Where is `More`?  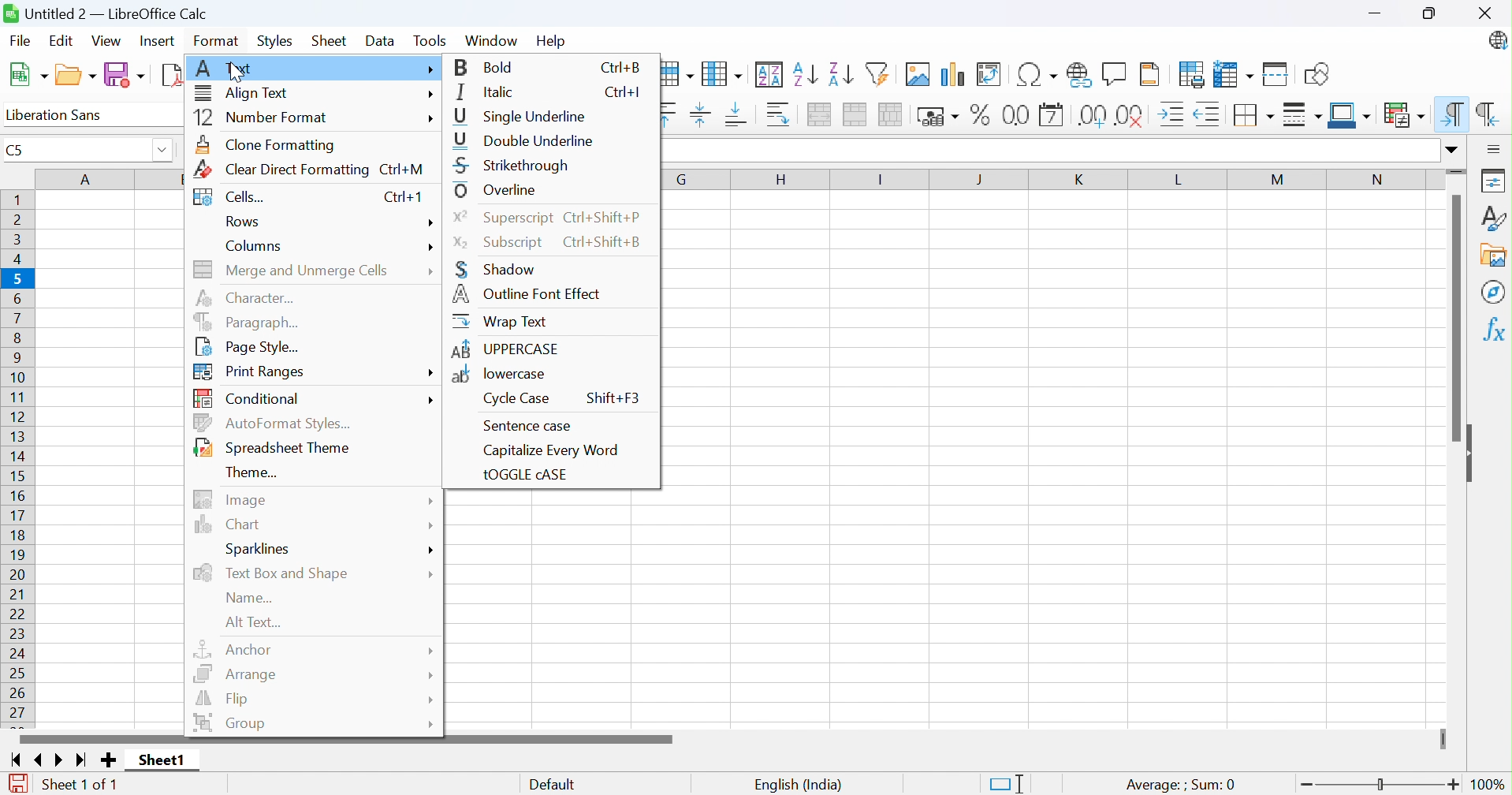
More is located at coordinates (432, 69).